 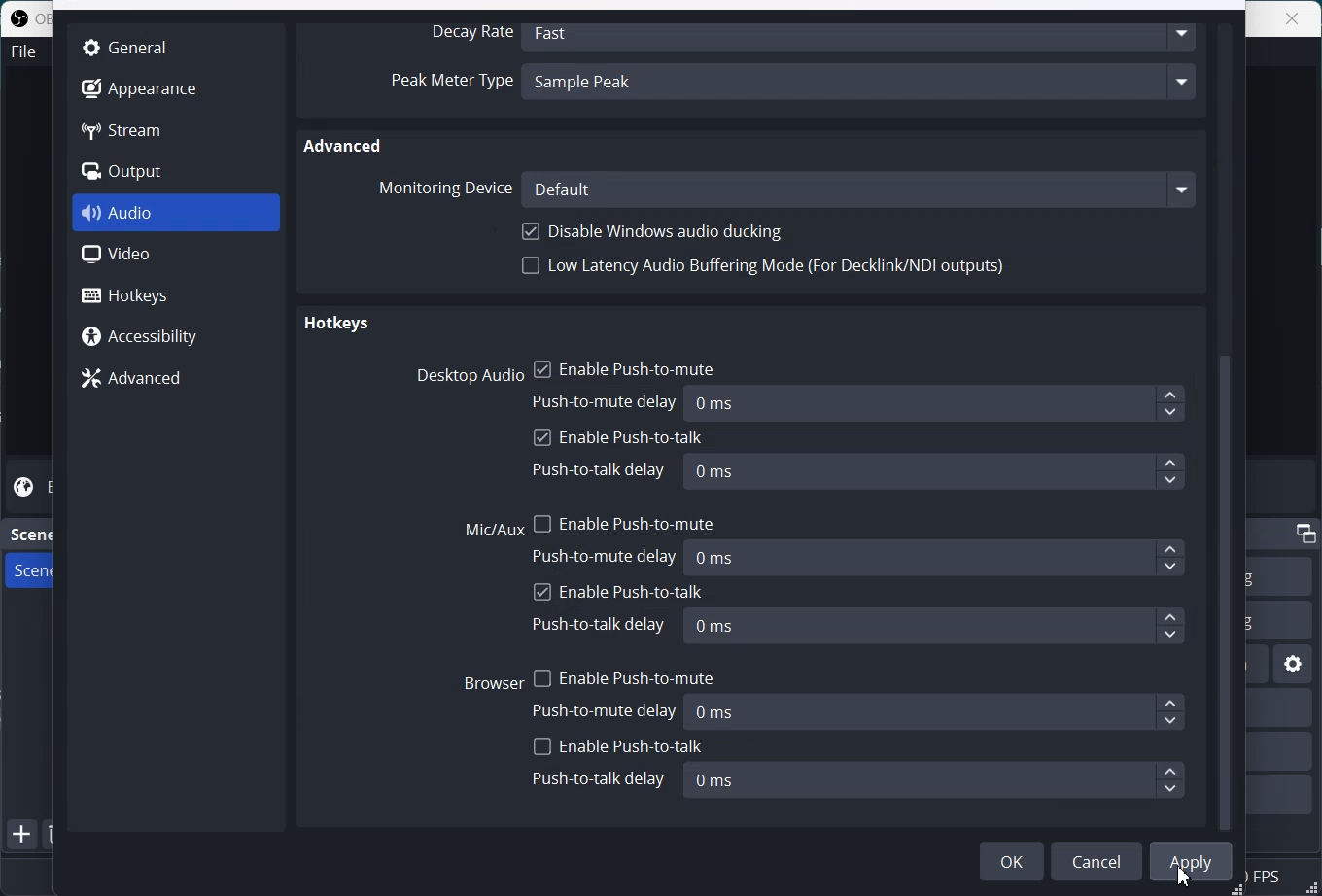 I want to click on General, so click(x=134, y=47).